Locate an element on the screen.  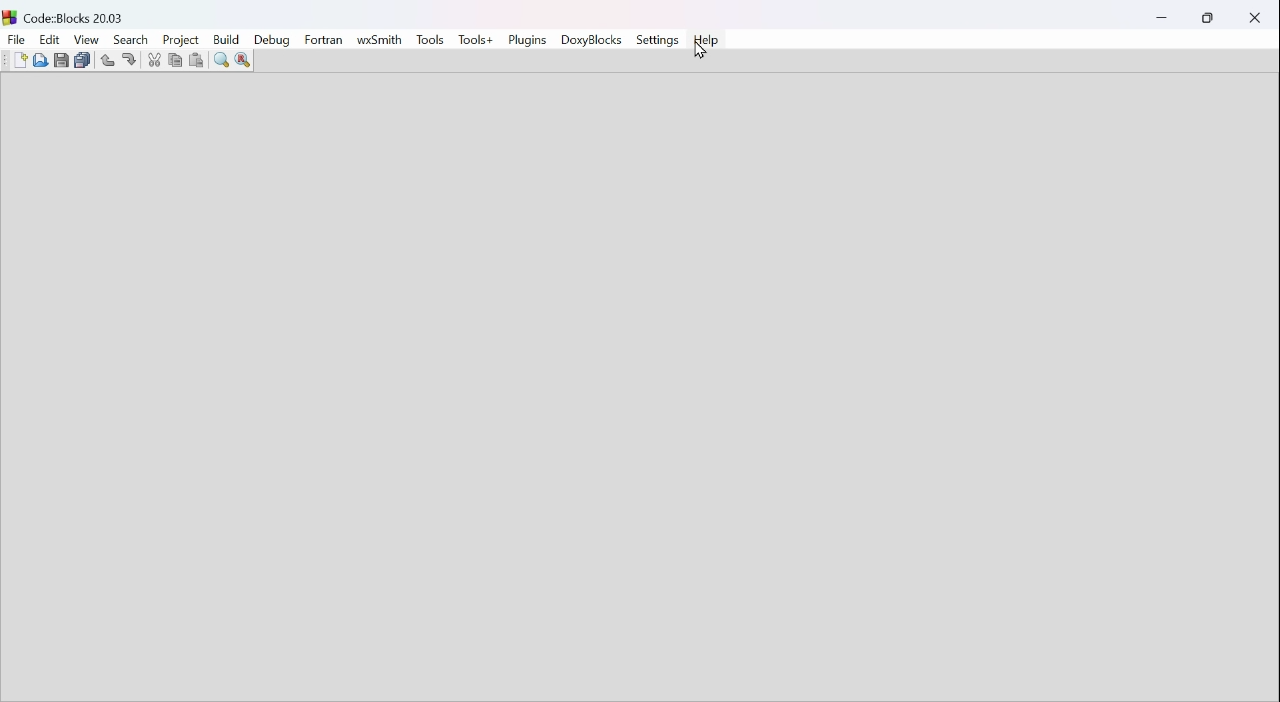
Debug is located at coordinates (270, 40).